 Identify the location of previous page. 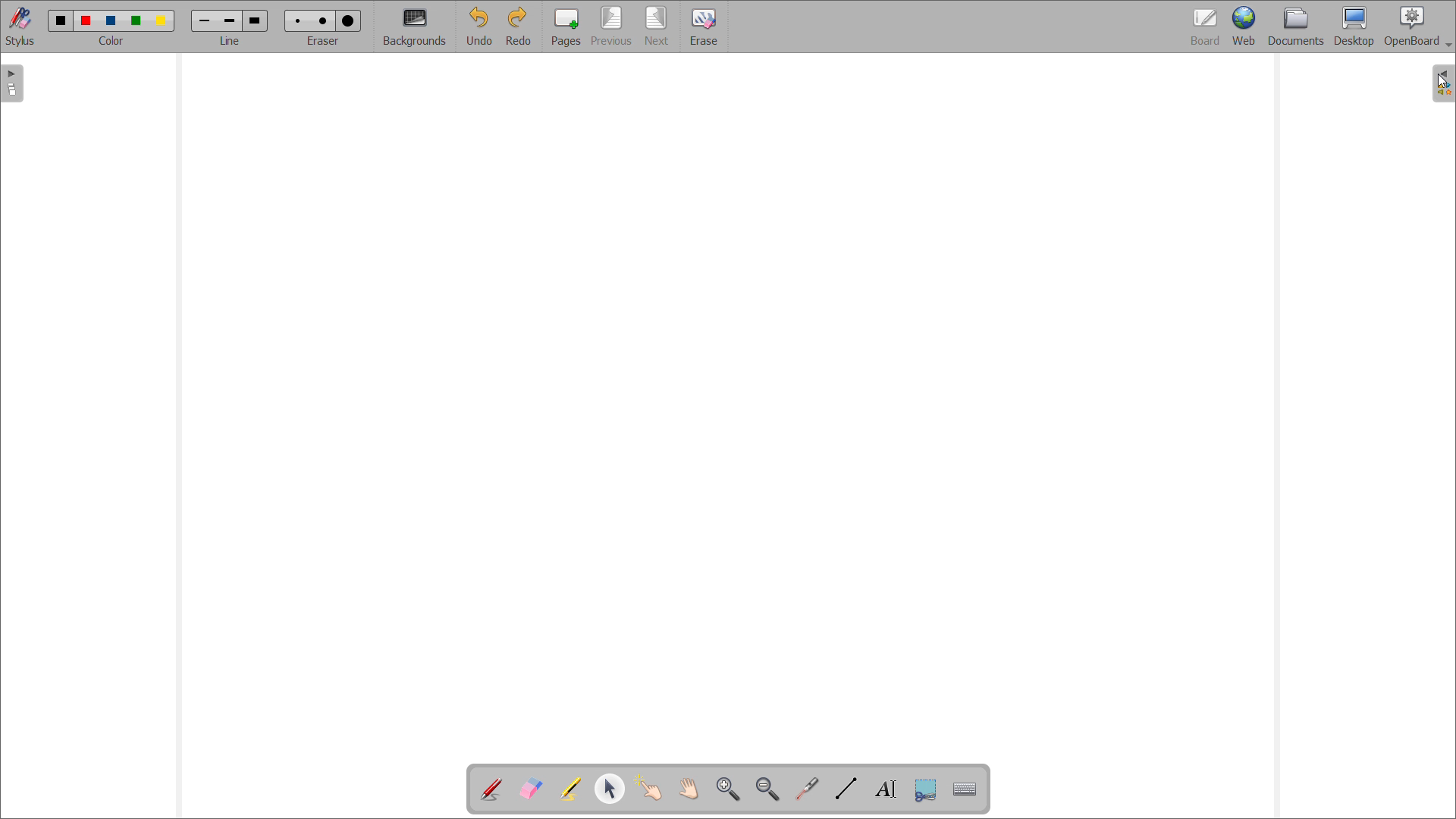
(612, 25).